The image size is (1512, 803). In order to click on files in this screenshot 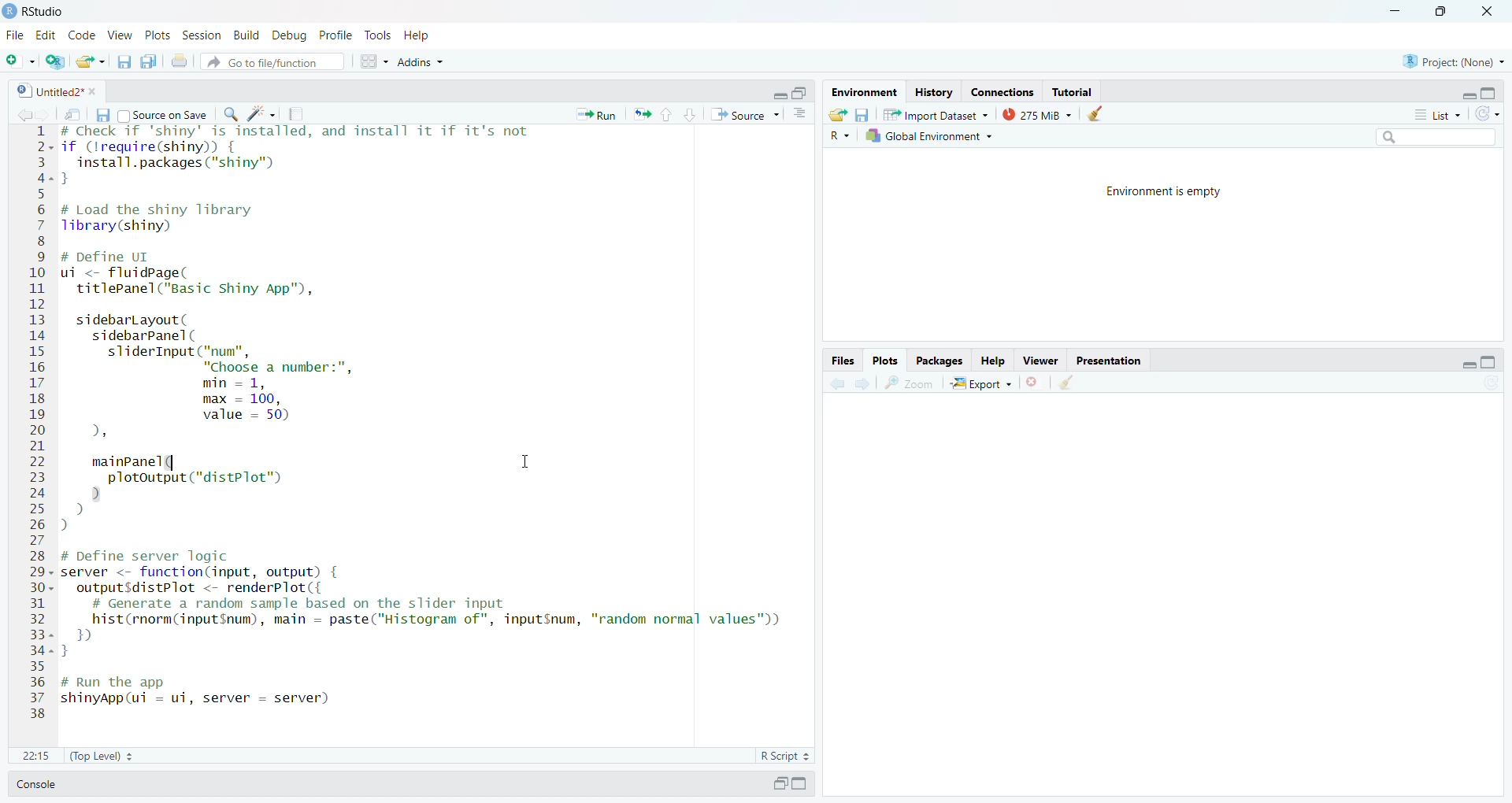, I will do `click(843, 361)`.